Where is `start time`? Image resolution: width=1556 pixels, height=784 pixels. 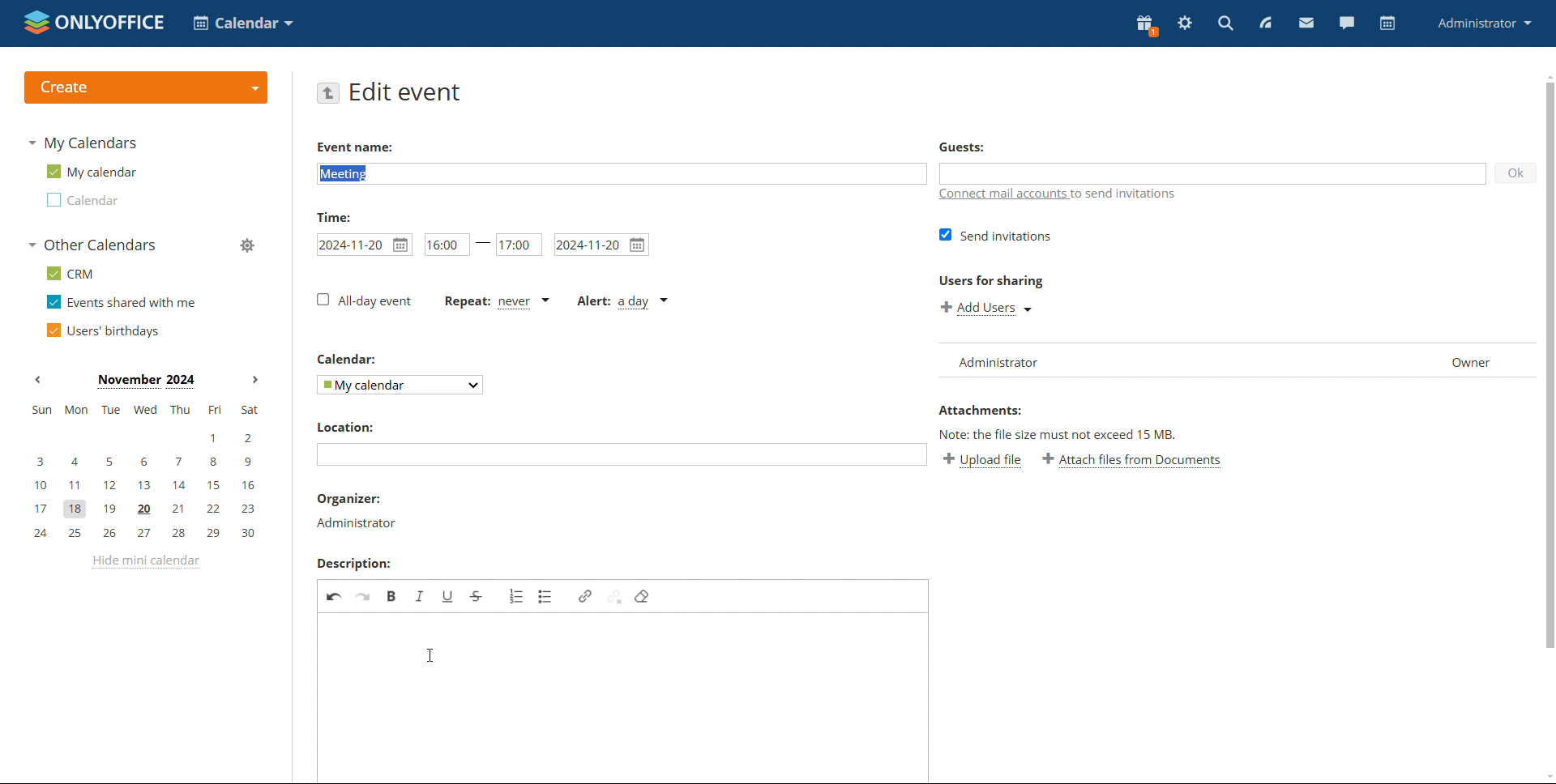 start time is located at coordinates (447, 245).